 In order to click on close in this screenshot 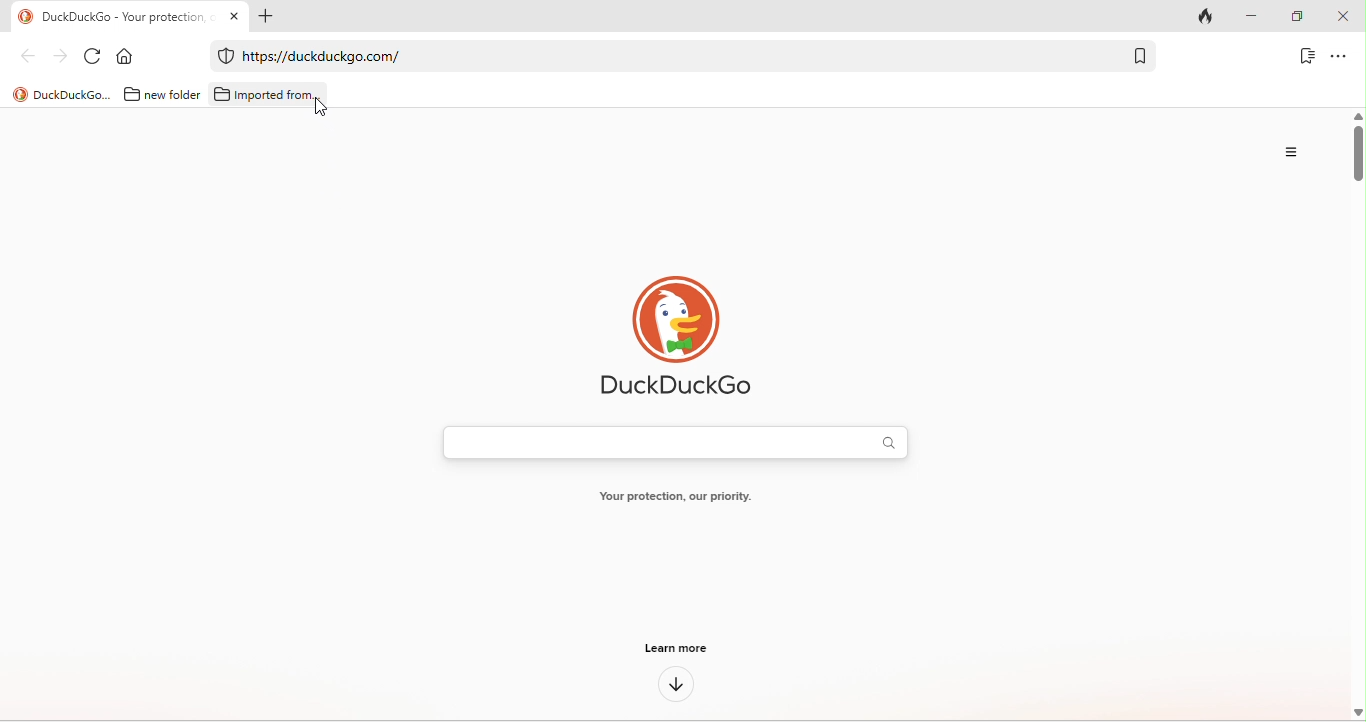, I will do `click(1346, 17)`.